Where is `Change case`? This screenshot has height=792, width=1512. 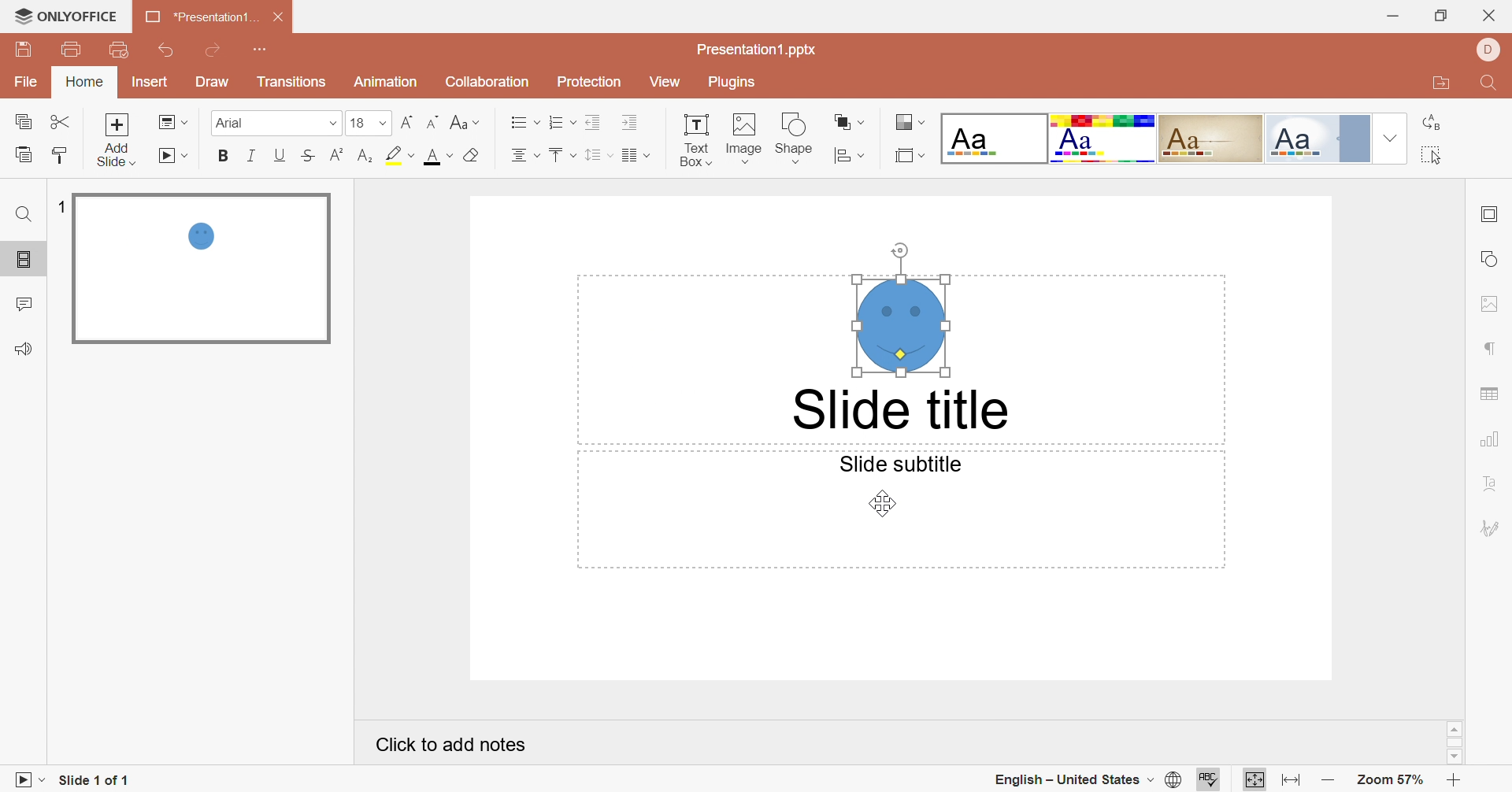
Change case is located at coordinates (462, 121).